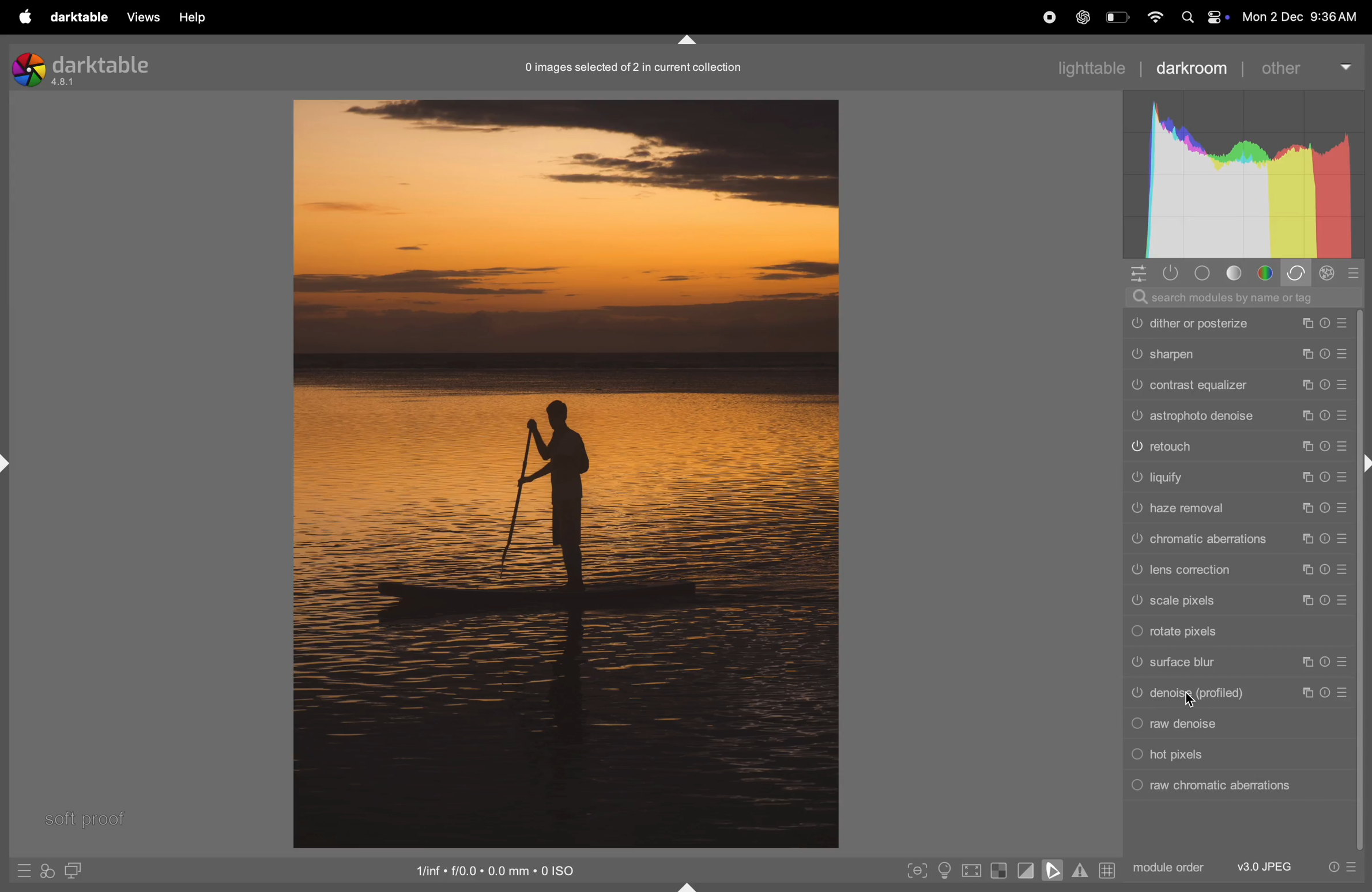 This screenshot has width=1372, height=892. Describe the element at coordinates (1243, 176) in the screenshot. I see `histogram` at that location.